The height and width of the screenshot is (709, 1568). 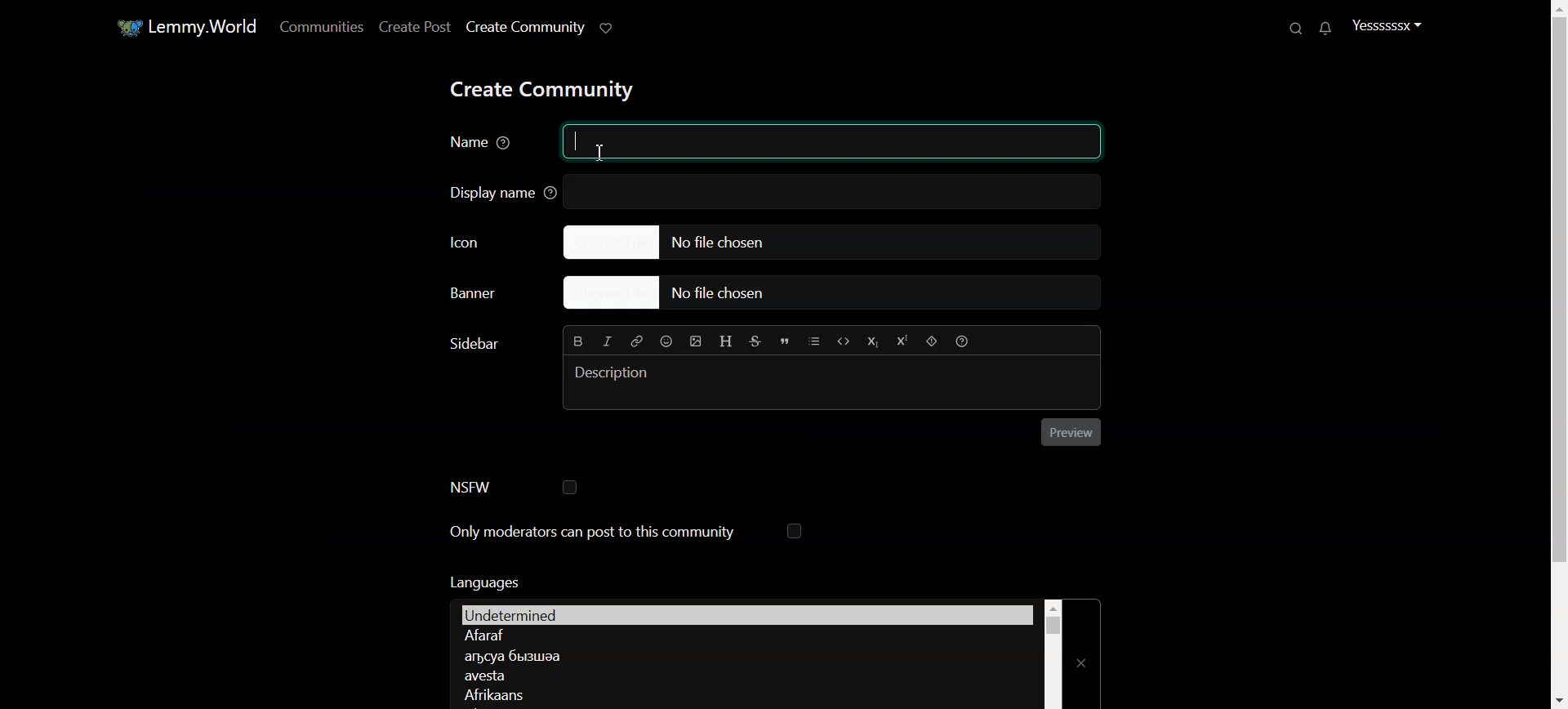 I want to click on Support Lemmy, so click(x=608, y=27).